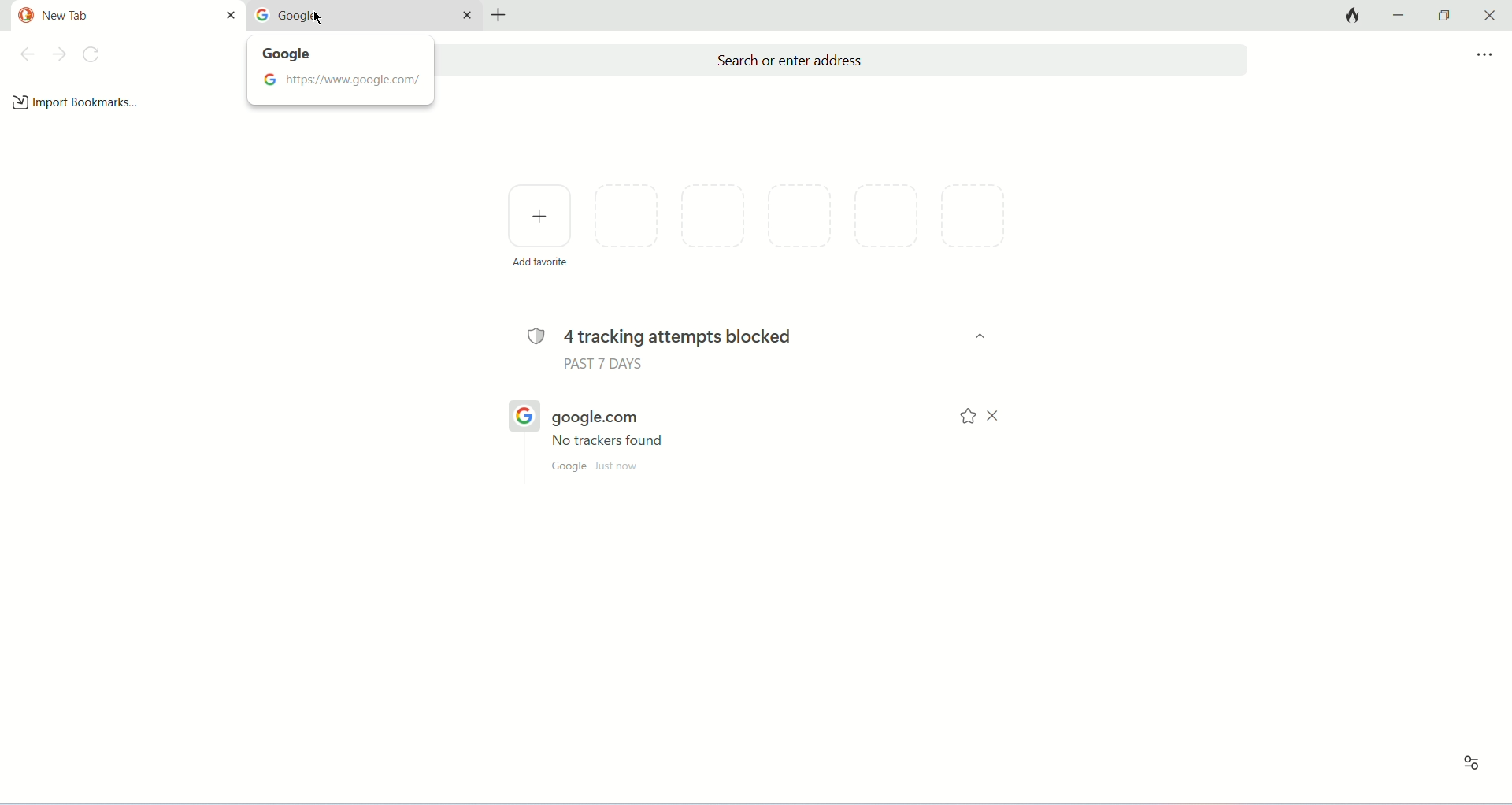 This screenshot has height=805, width=1512. Describe the element at coordinates (609, 443) in the screenshot. I see `no trackers found` at that location.